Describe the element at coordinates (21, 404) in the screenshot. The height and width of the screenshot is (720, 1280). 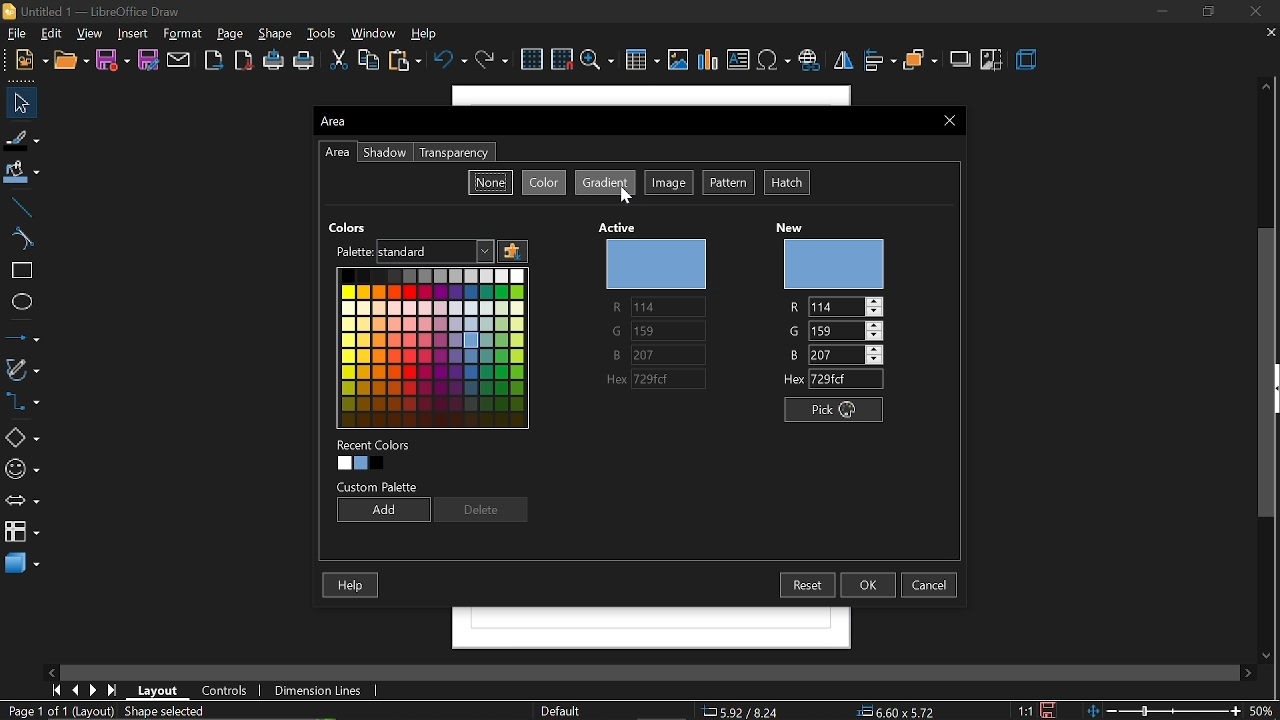
I see `Connector` at that location.